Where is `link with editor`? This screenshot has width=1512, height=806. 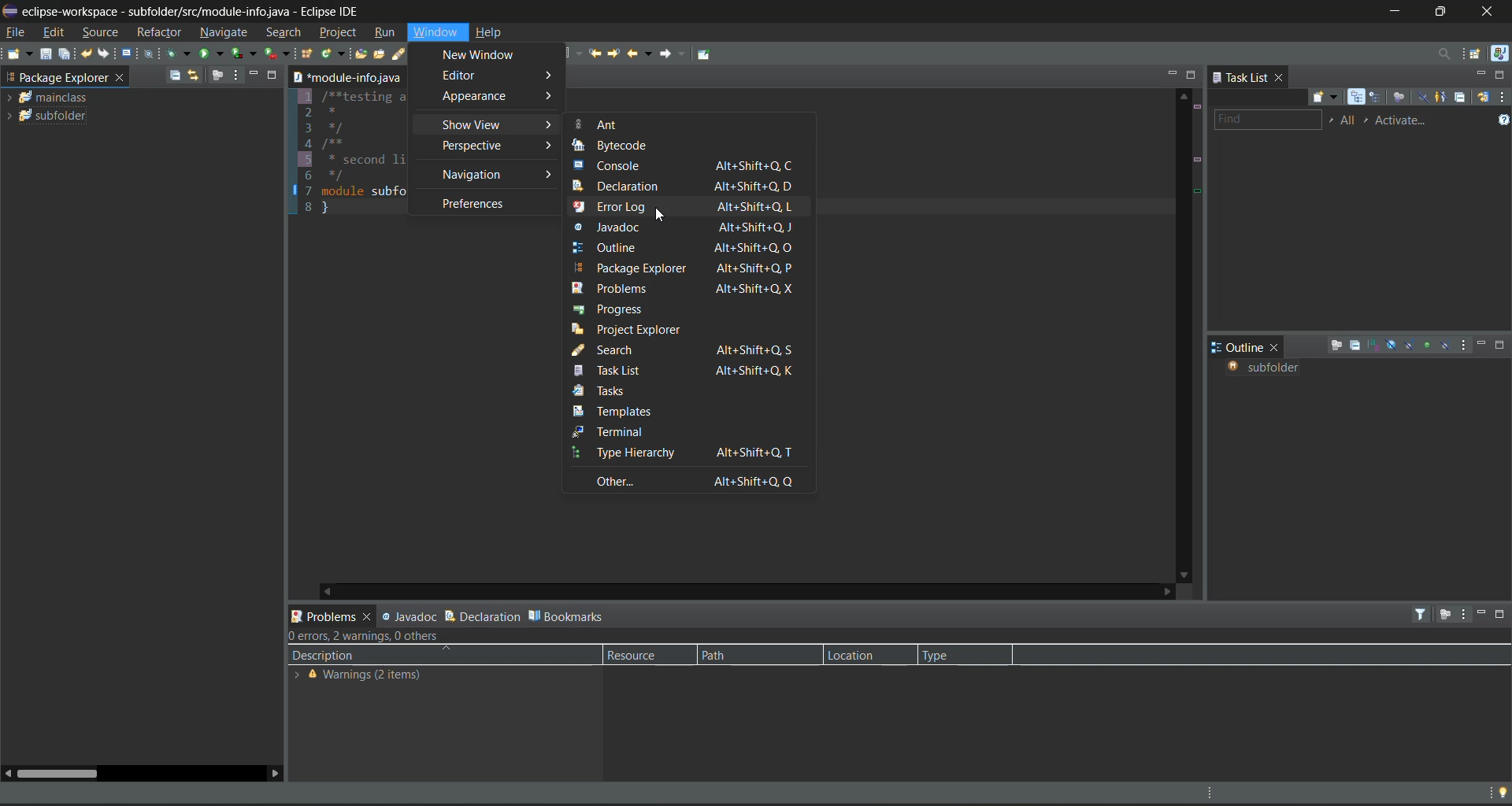
link with editor is located at coordinates (194, 76).